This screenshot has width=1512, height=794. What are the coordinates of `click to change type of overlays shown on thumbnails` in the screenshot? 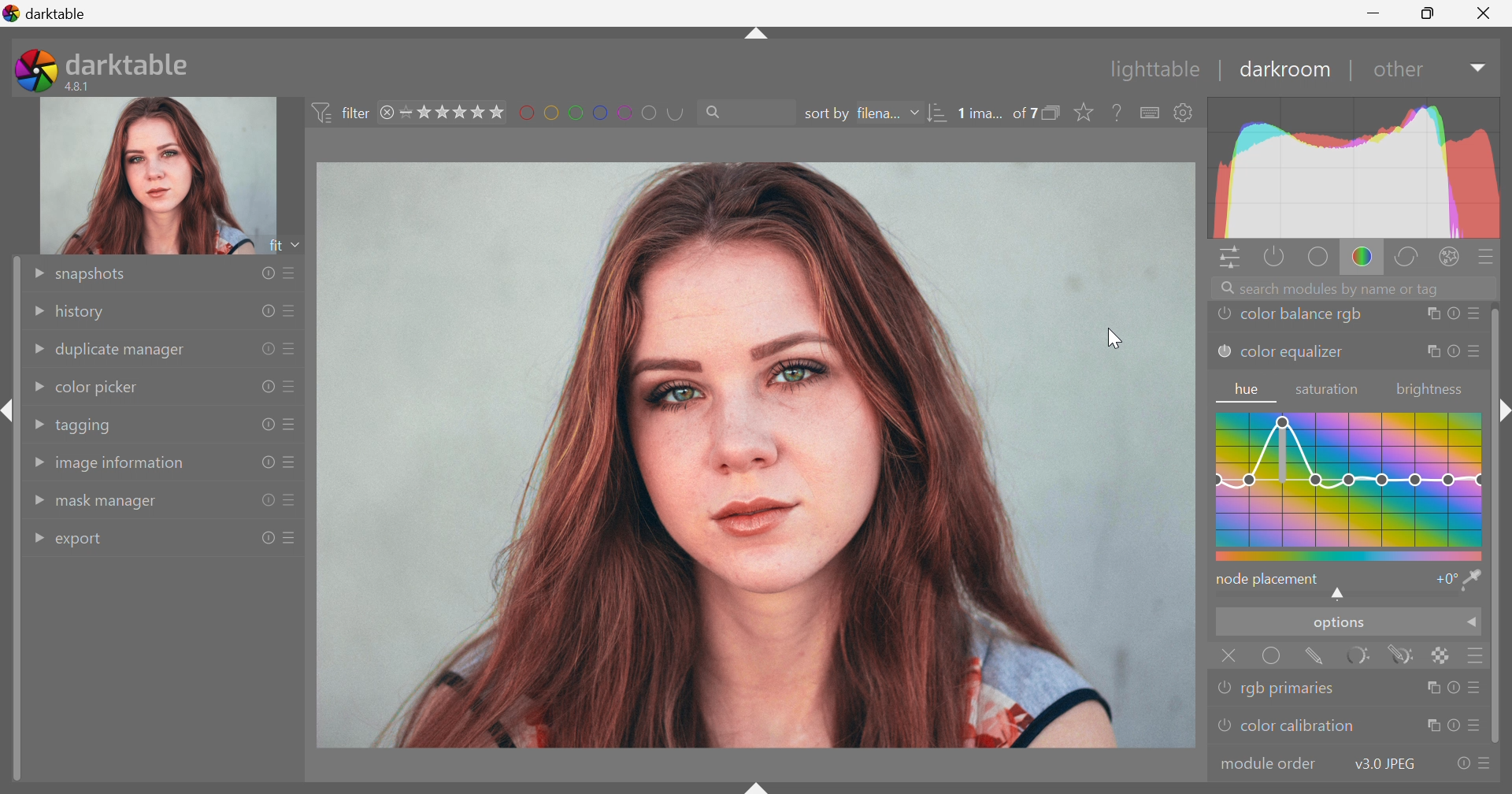 It's located at (1088, 113).